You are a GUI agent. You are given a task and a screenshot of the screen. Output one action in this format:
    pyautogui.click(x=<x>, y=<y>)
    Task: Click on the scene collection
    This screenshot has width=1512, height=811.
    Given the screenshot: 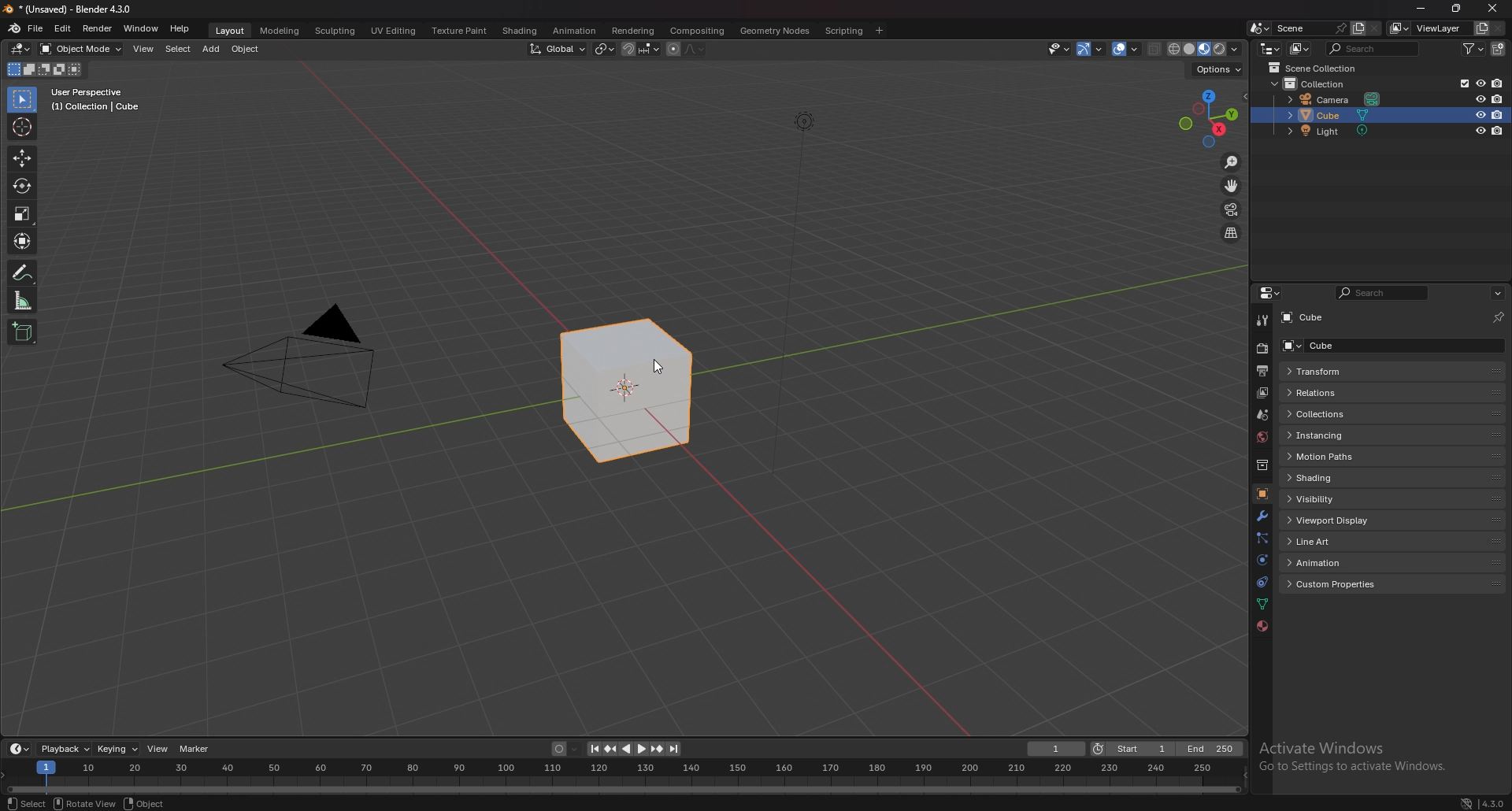 What is the action you would take?
    pyautogui.click(x=1314, y=68)
    